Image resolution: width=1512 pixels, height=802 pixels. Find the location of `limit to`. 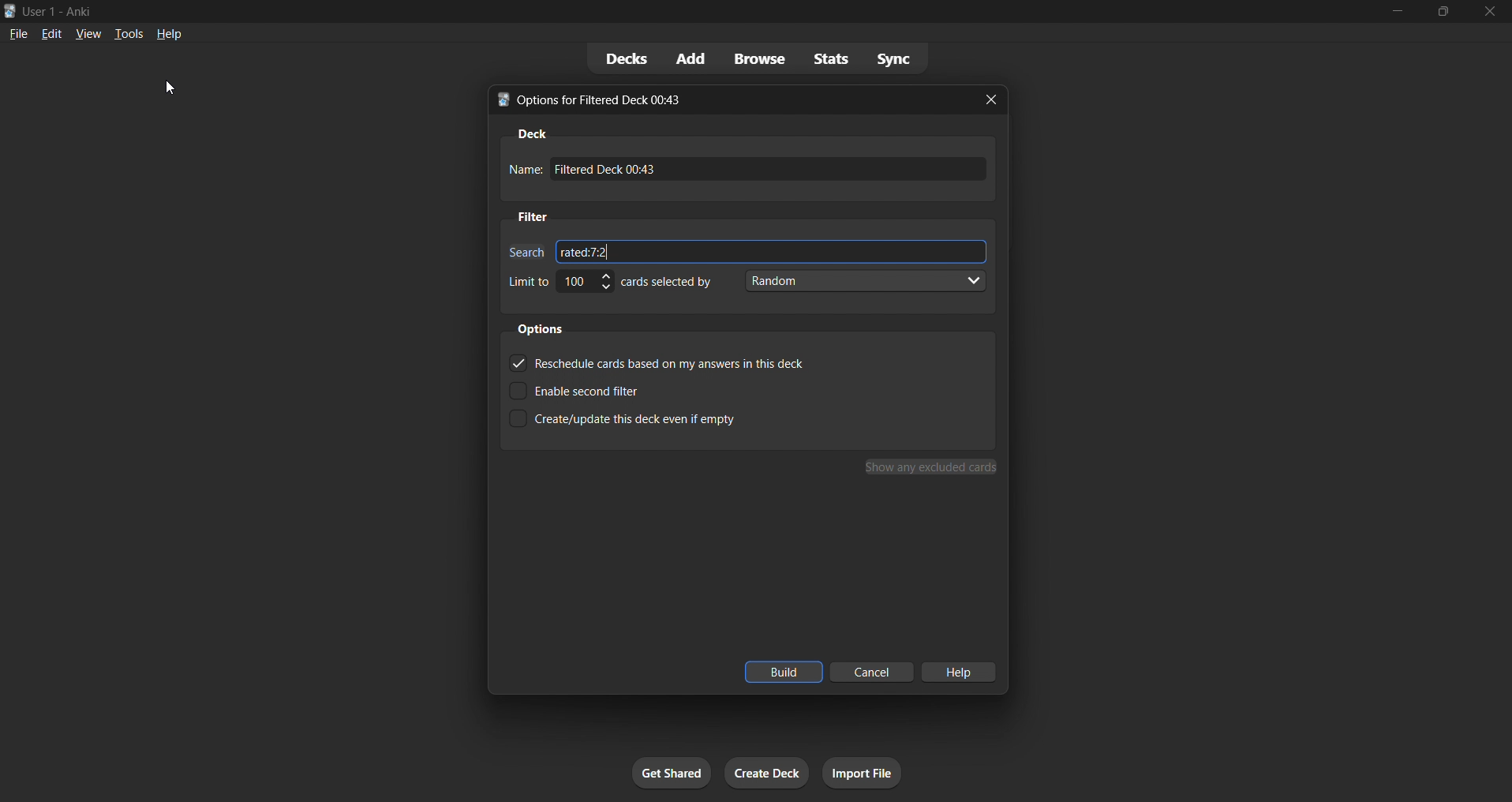

limit to is located at coordinates (527, 281).